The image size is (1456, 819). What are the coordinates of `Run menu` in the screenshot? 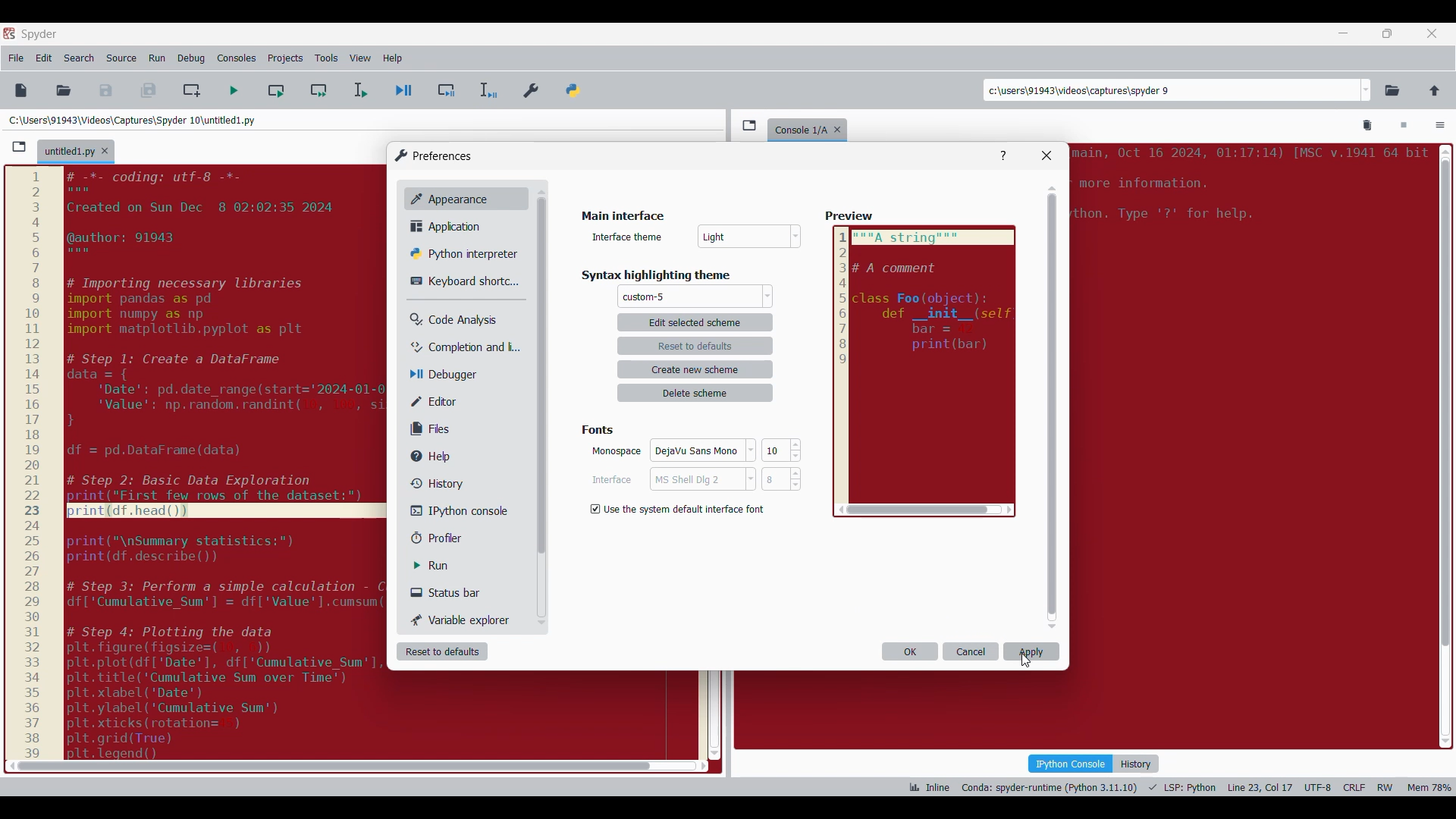 It's located at (157, 58).